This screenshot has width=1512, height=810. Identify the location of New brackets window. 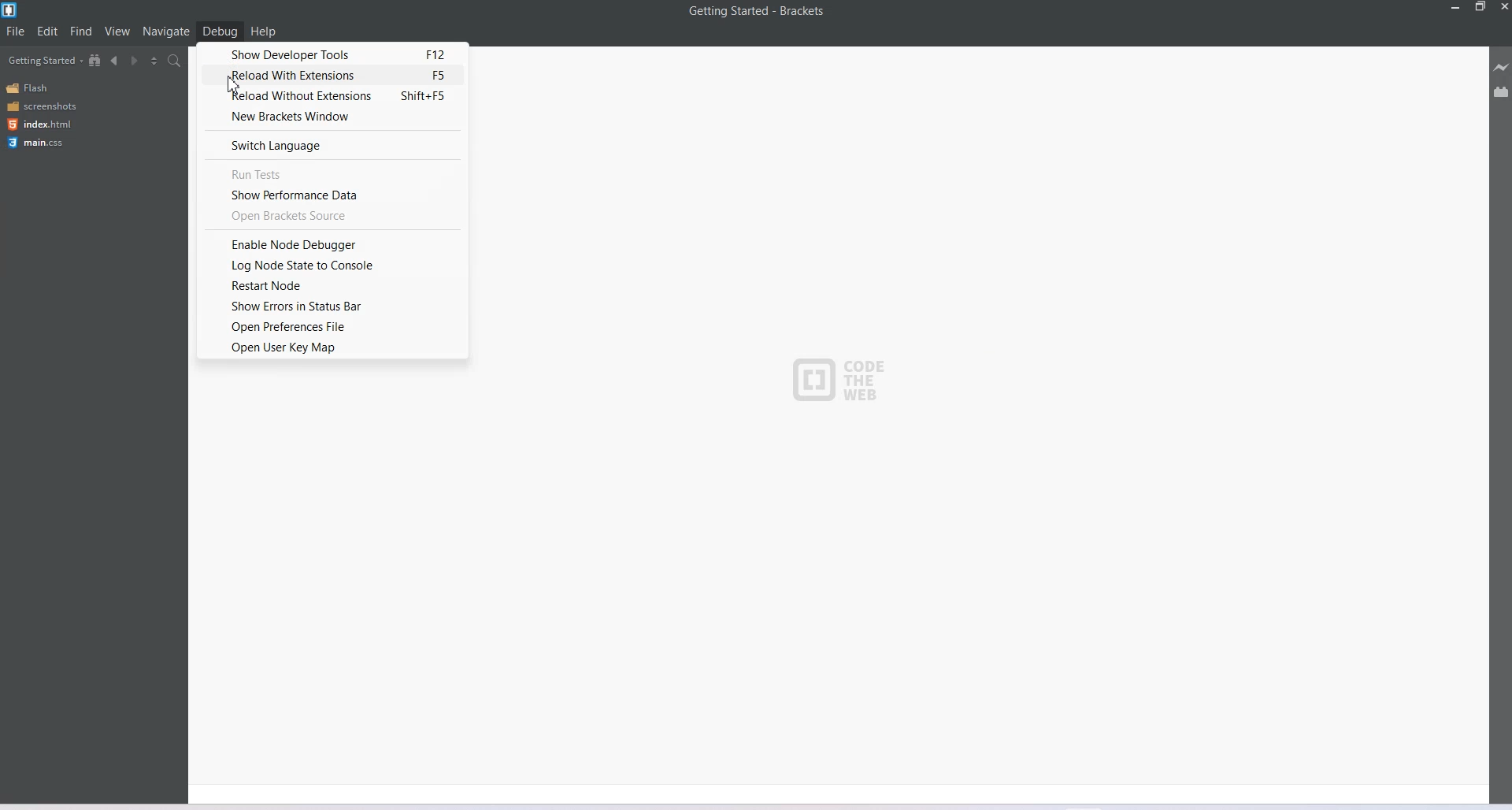
(334, 118).